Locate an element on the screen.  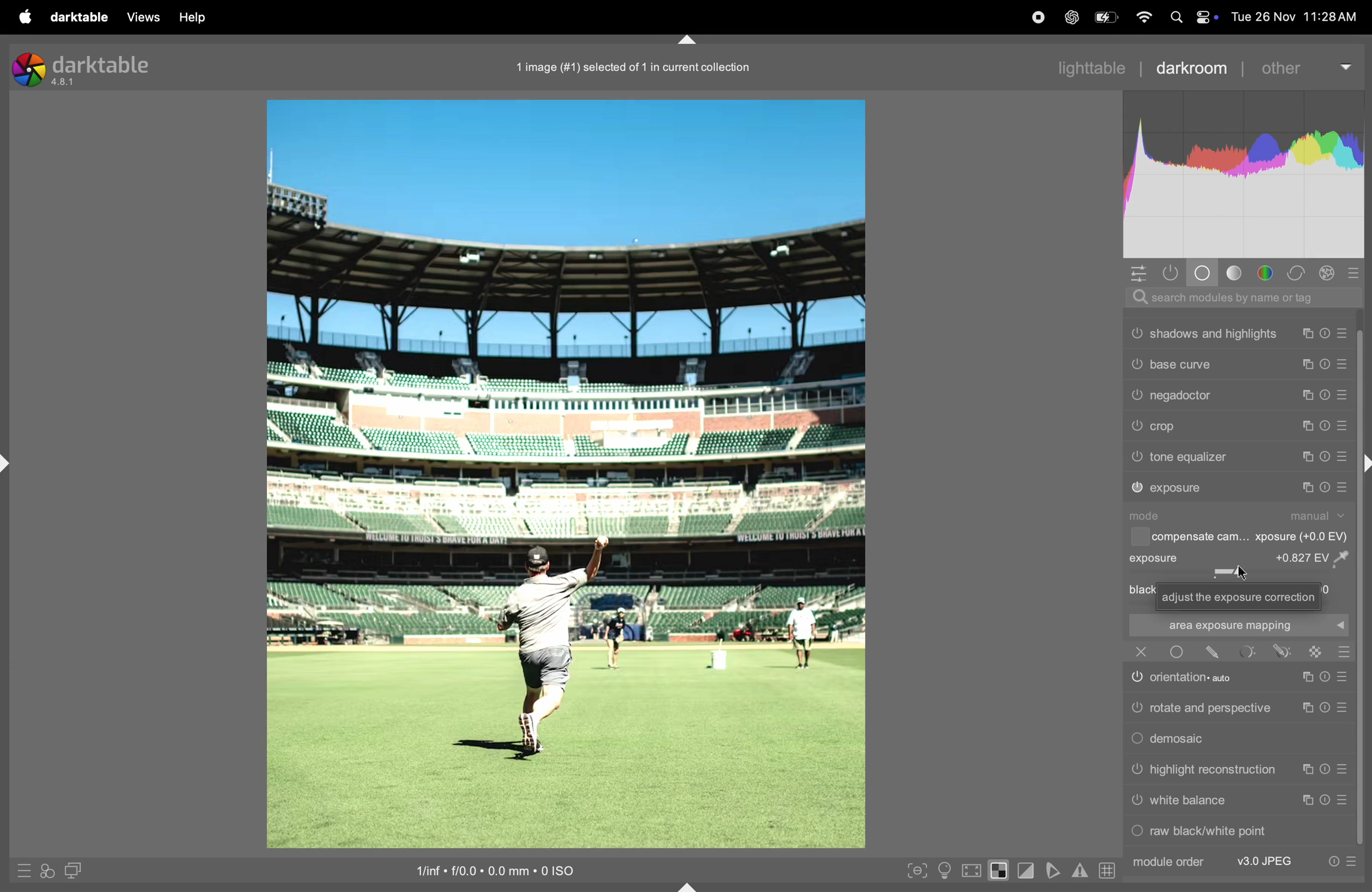
show only active modules is located at coordinates (1175, 273).